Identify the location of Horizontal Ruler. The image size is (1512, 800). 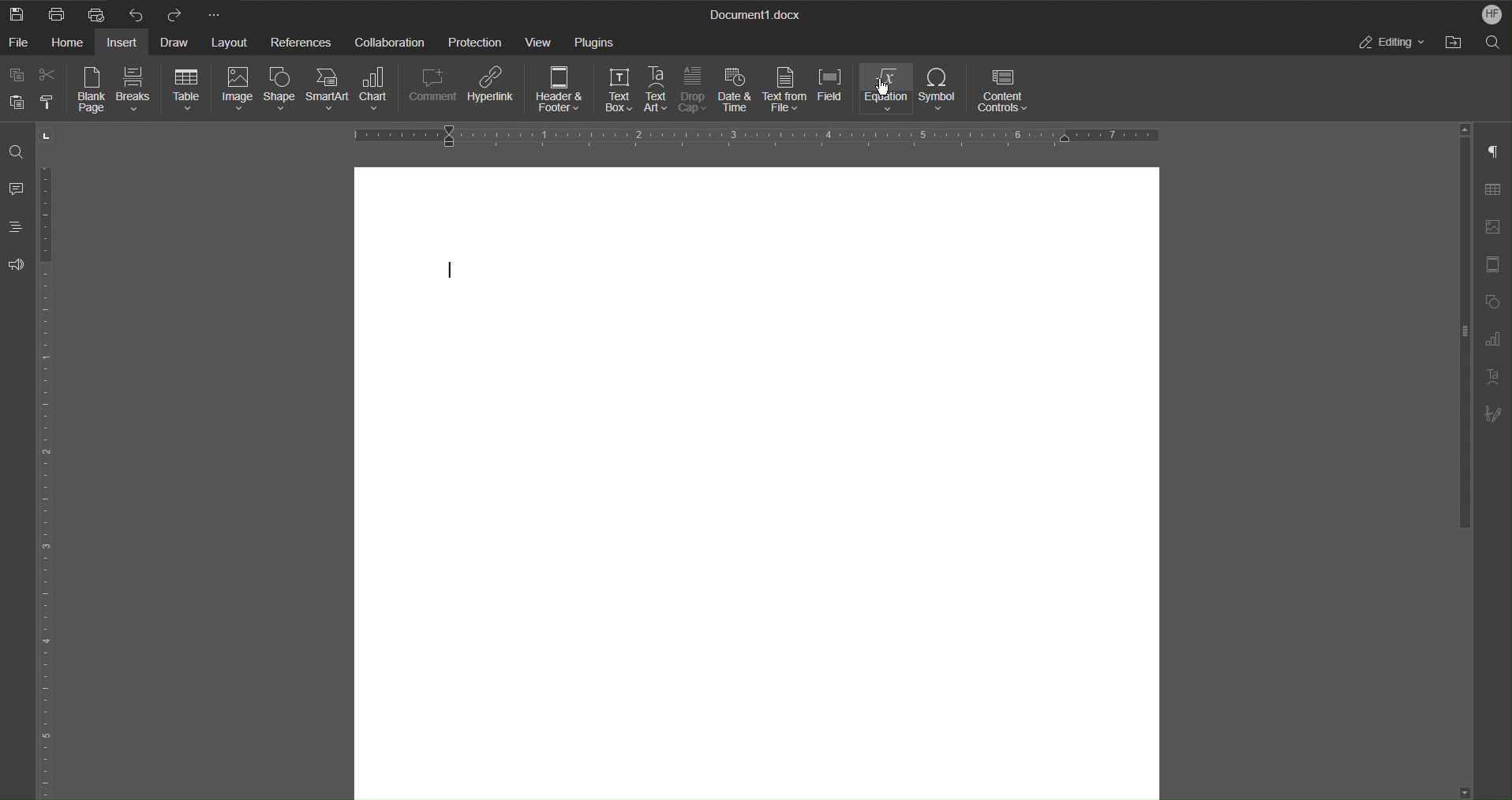
(765, 134).